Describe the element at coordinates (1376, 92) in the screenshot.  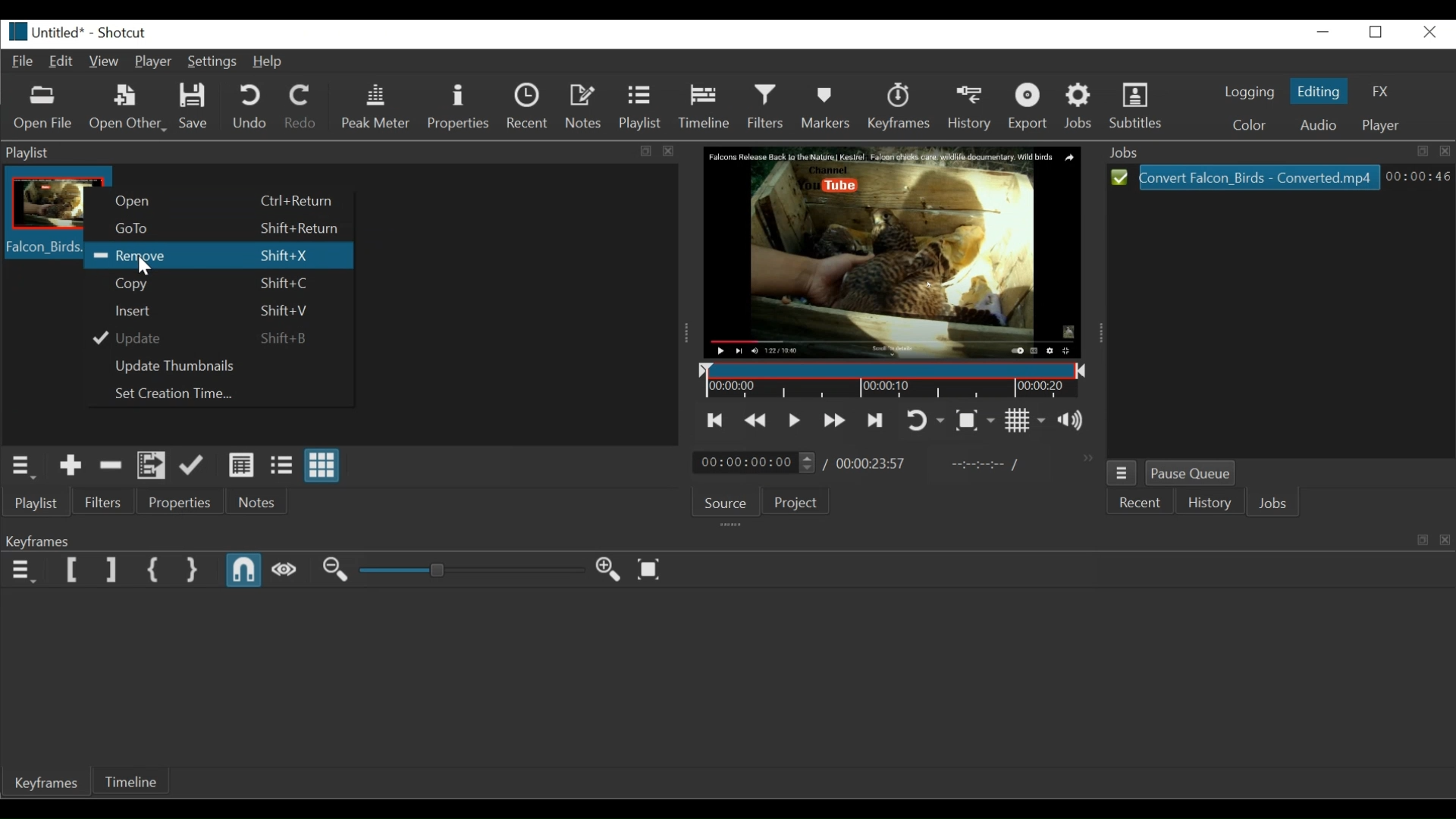
I see `FX` at that location.